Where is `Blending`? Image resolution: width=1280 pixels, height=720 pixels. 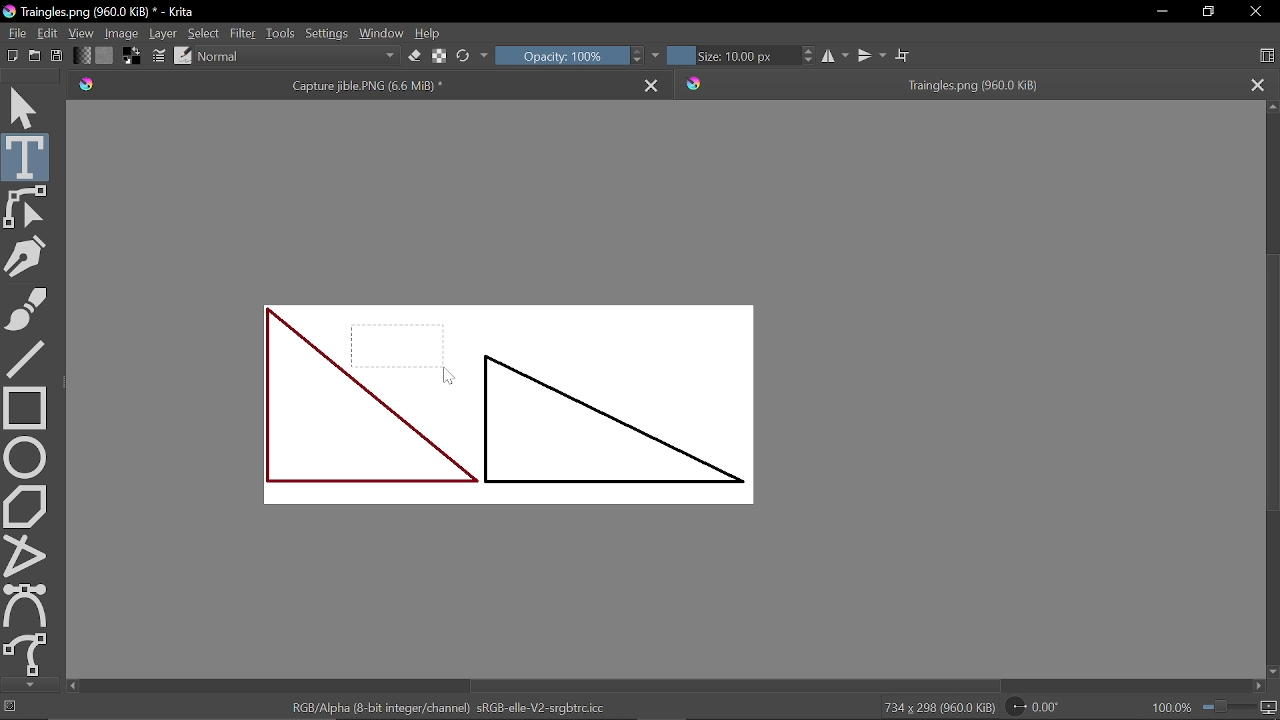 Blending is located at coordinates (297, 57).